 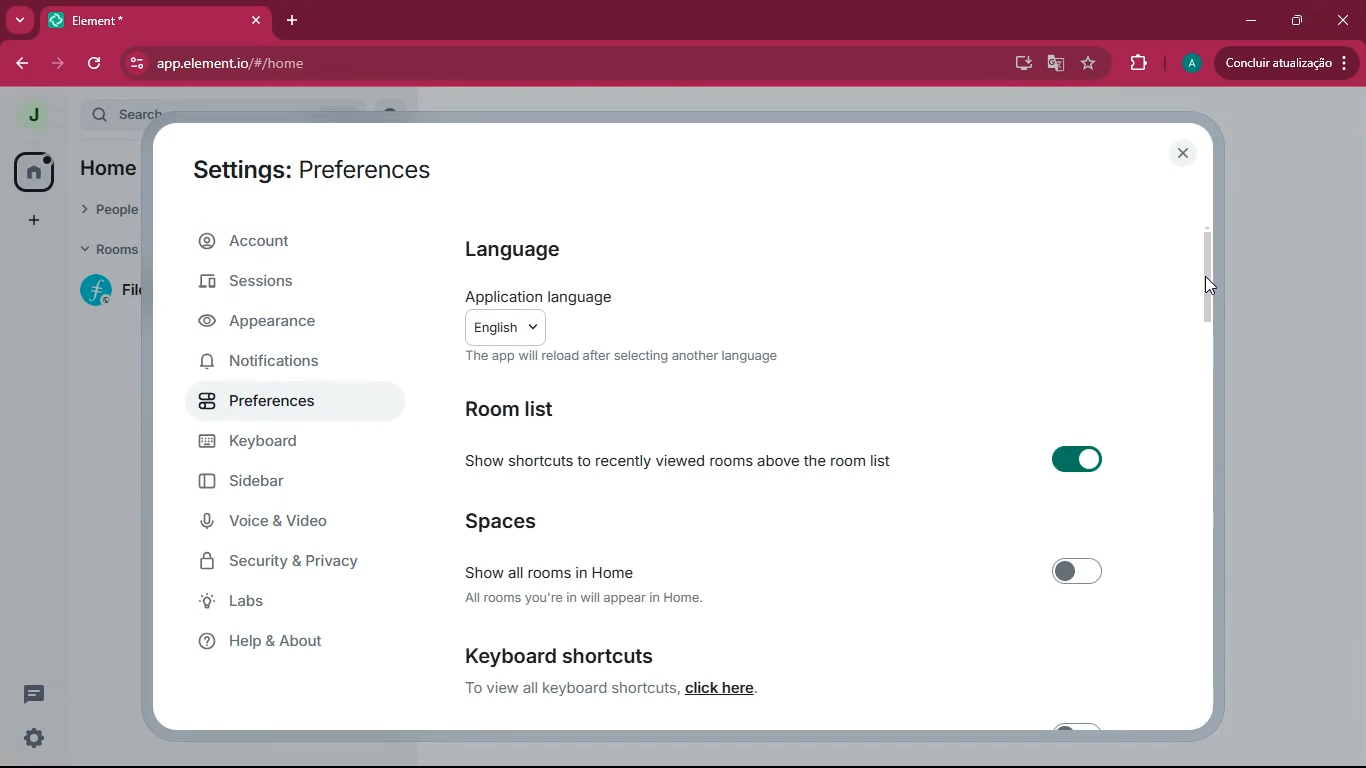 I want to click on labs, so click(x=284, y=603).